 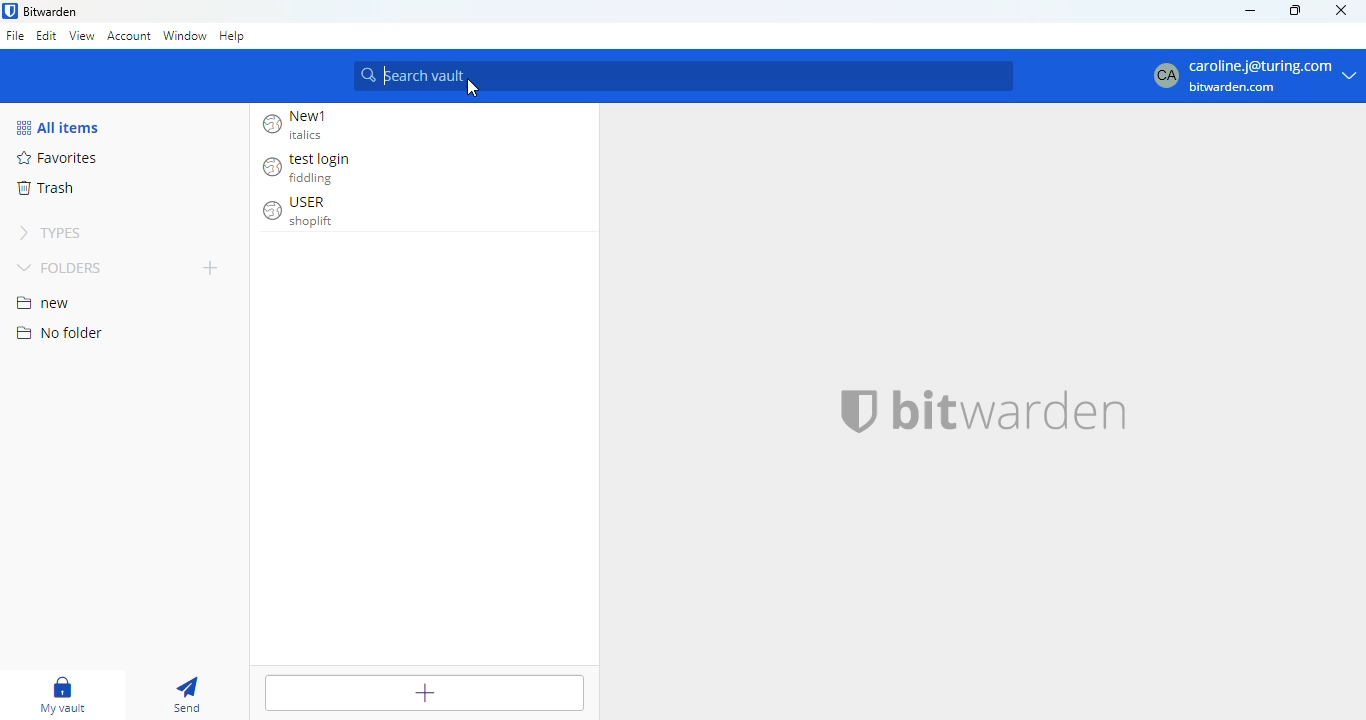 What do you see at coordinates (129, 38) in the screenshot?
I see `account` at bounding box center [129, 38].